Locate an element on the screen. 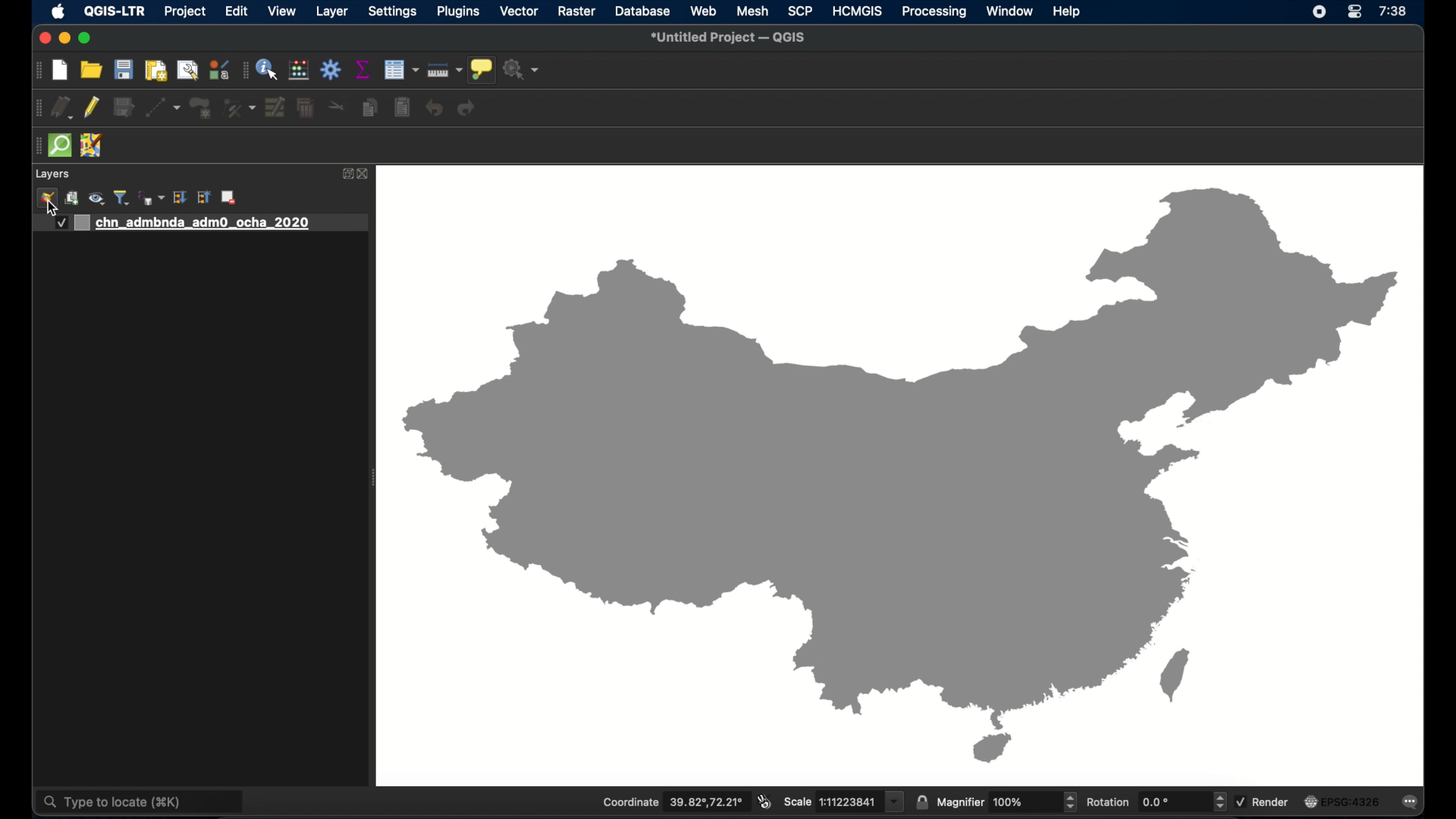 The image size is (1456, 819). no action selected is located at coordinates (522, 70).